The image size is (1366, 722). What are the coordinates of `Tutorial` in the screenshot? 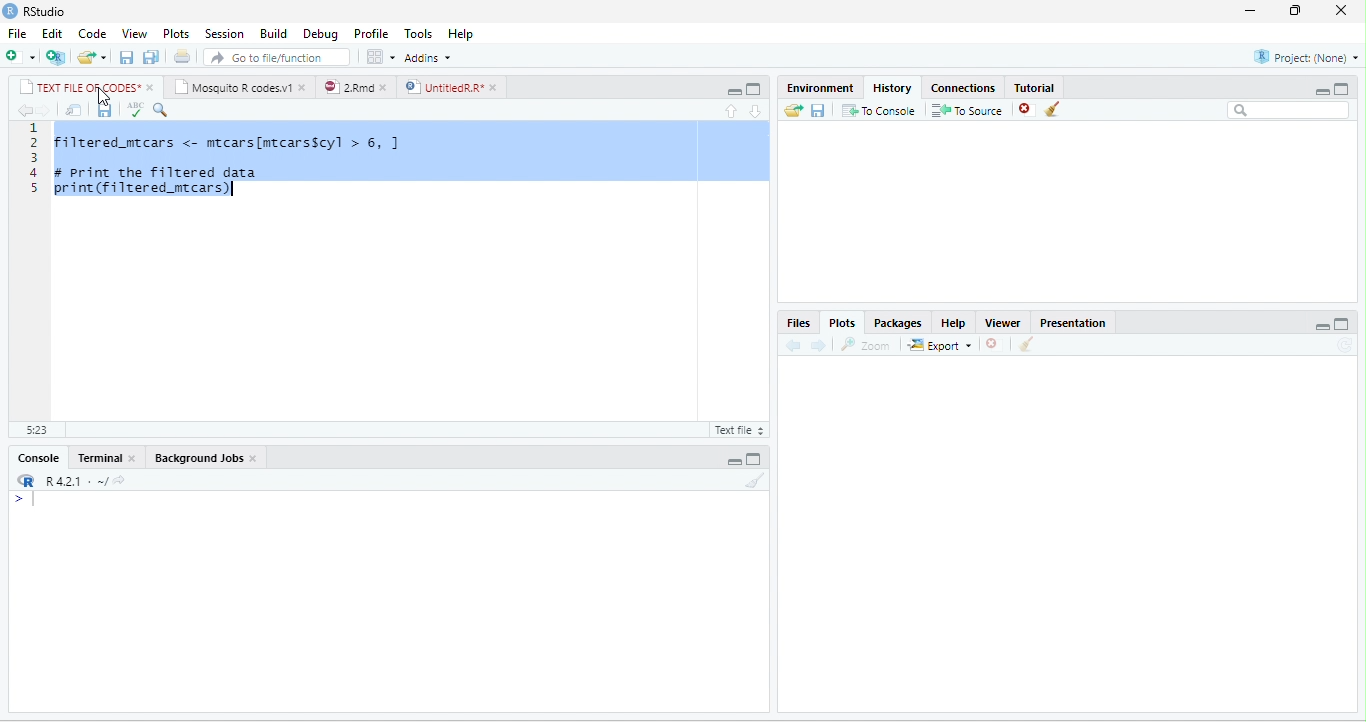 It's located at (1033, 87).